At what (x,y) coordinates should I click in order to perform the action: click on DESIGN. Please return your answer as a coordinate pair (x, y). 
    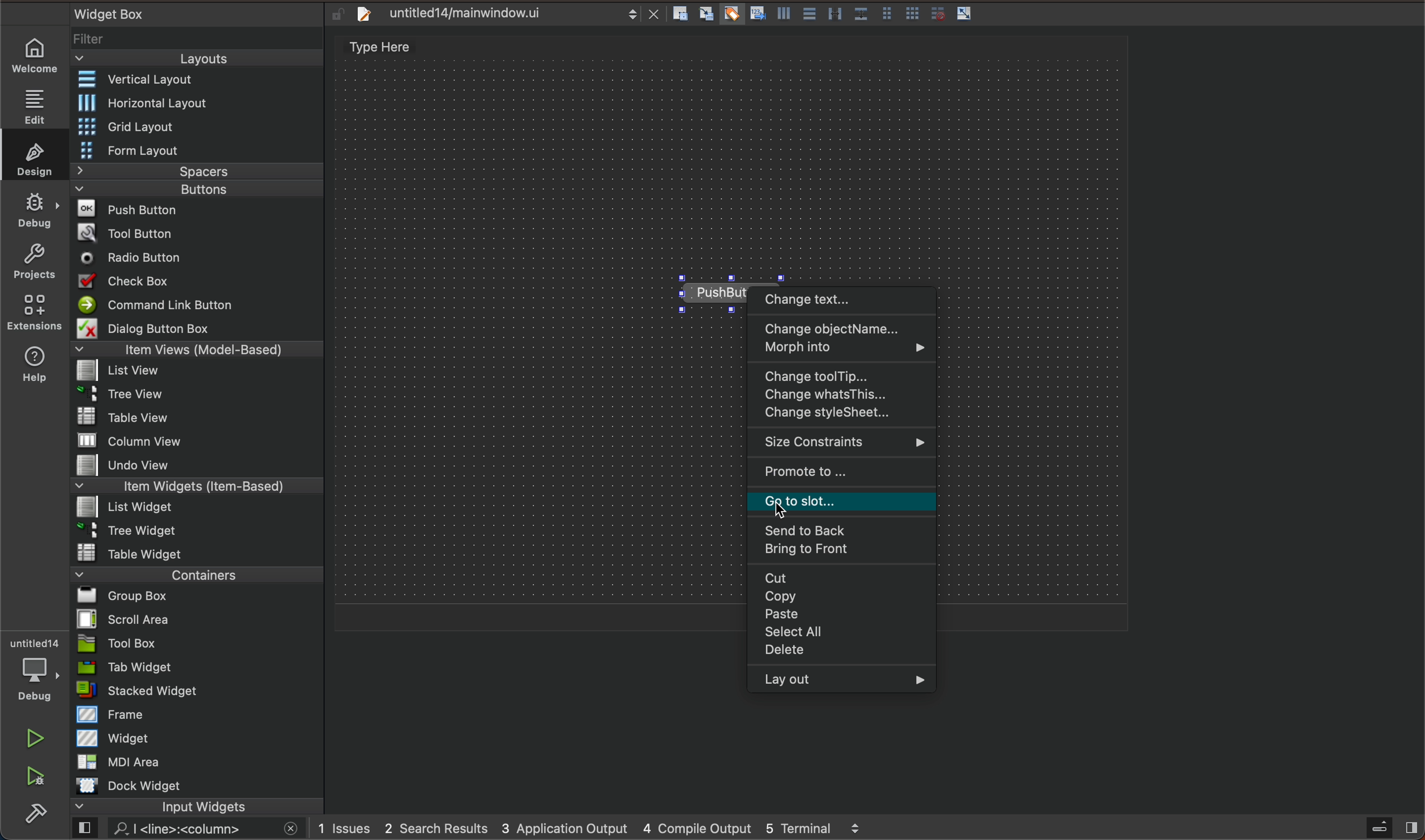
    Looking at the image, I should click on (32, 156).